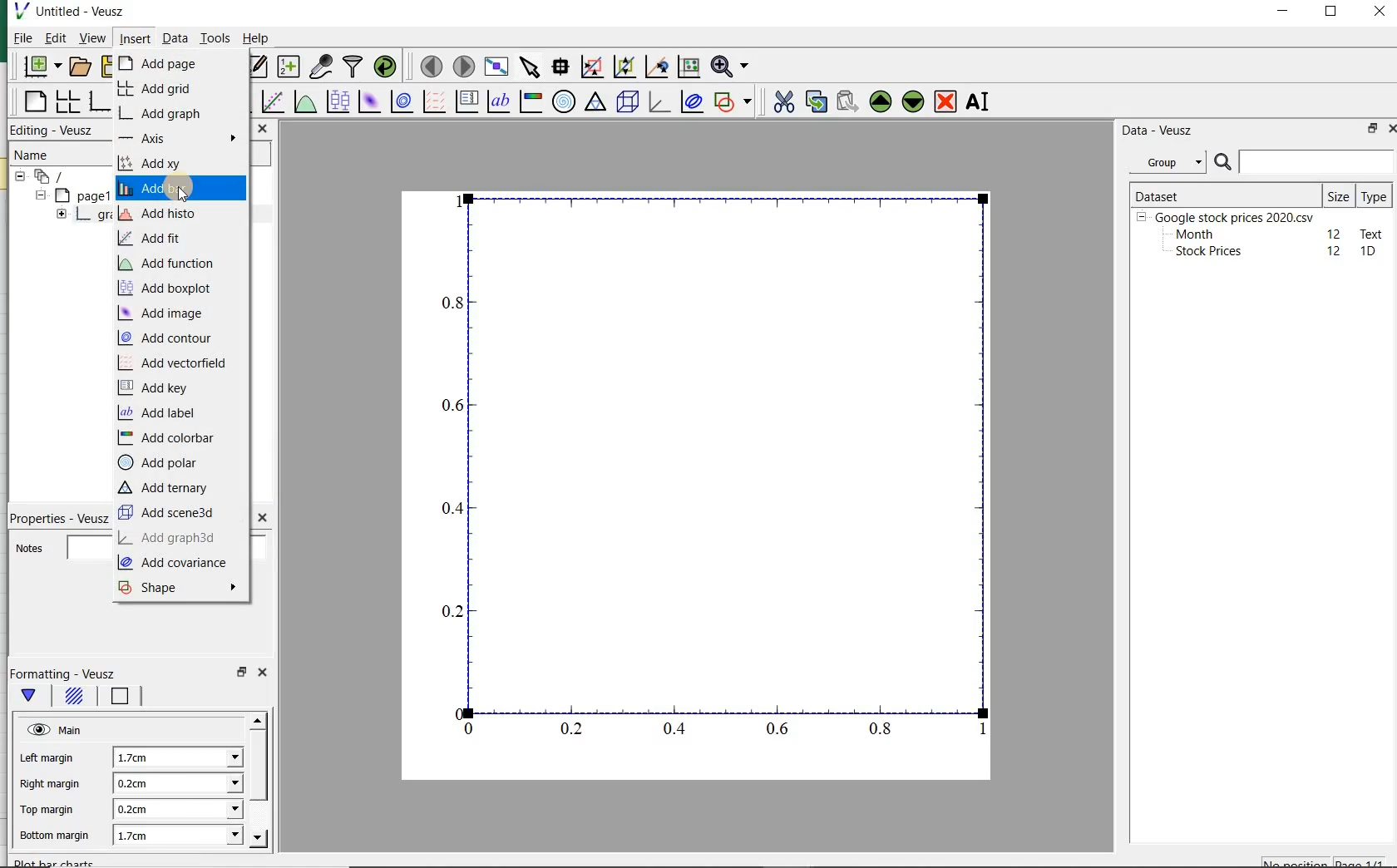  I want to click on ternary graph, so click(595, 103).